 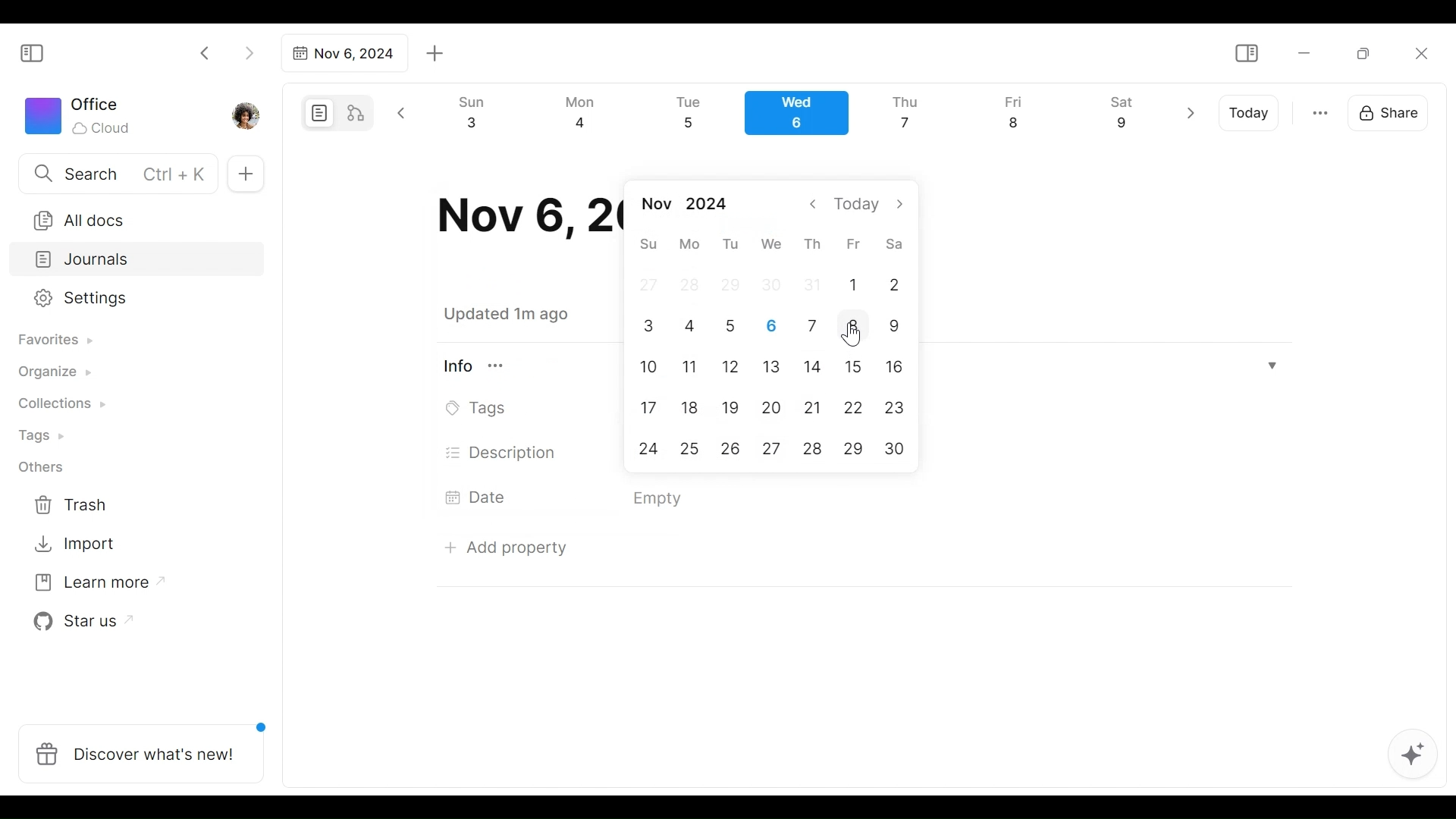 What do you see at coordinates (54, 340) in the screenshot?
I see `Favorites` at bounding box center [54, 340].